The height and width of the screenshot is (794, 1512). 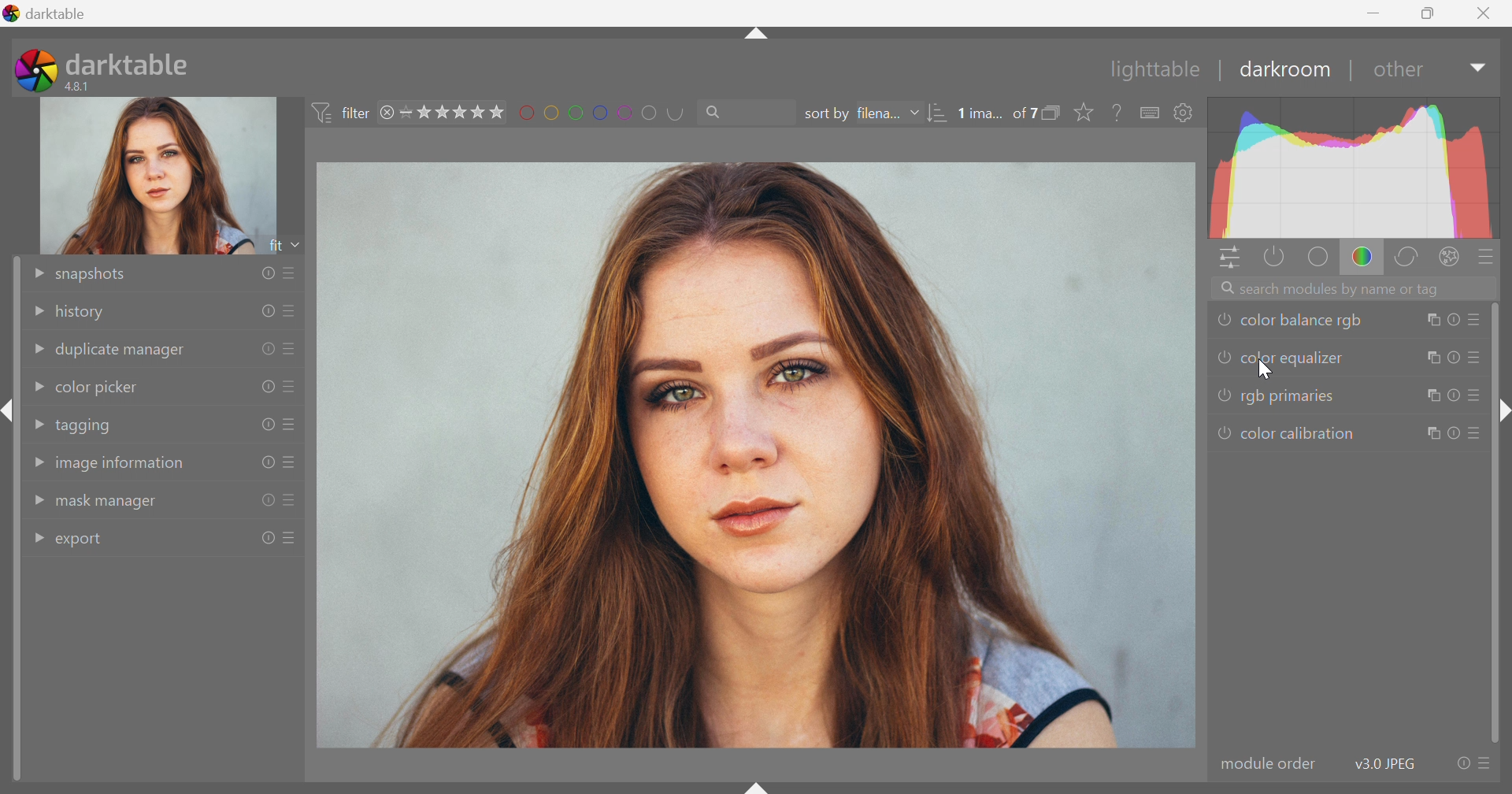 I want to click on color balance rgb, so click(x=1303, y=321).